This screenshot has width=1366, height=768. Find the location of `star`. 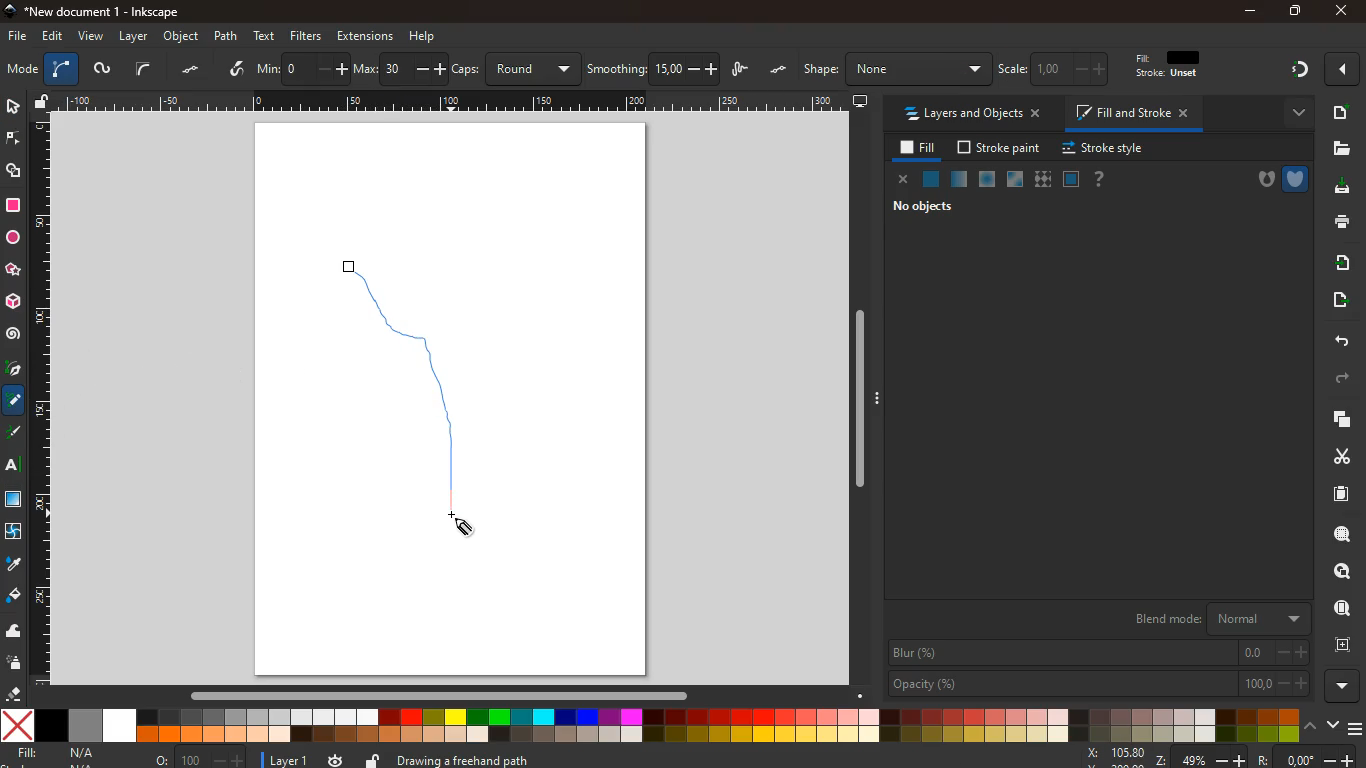

star is located at coordinates (15, 270).